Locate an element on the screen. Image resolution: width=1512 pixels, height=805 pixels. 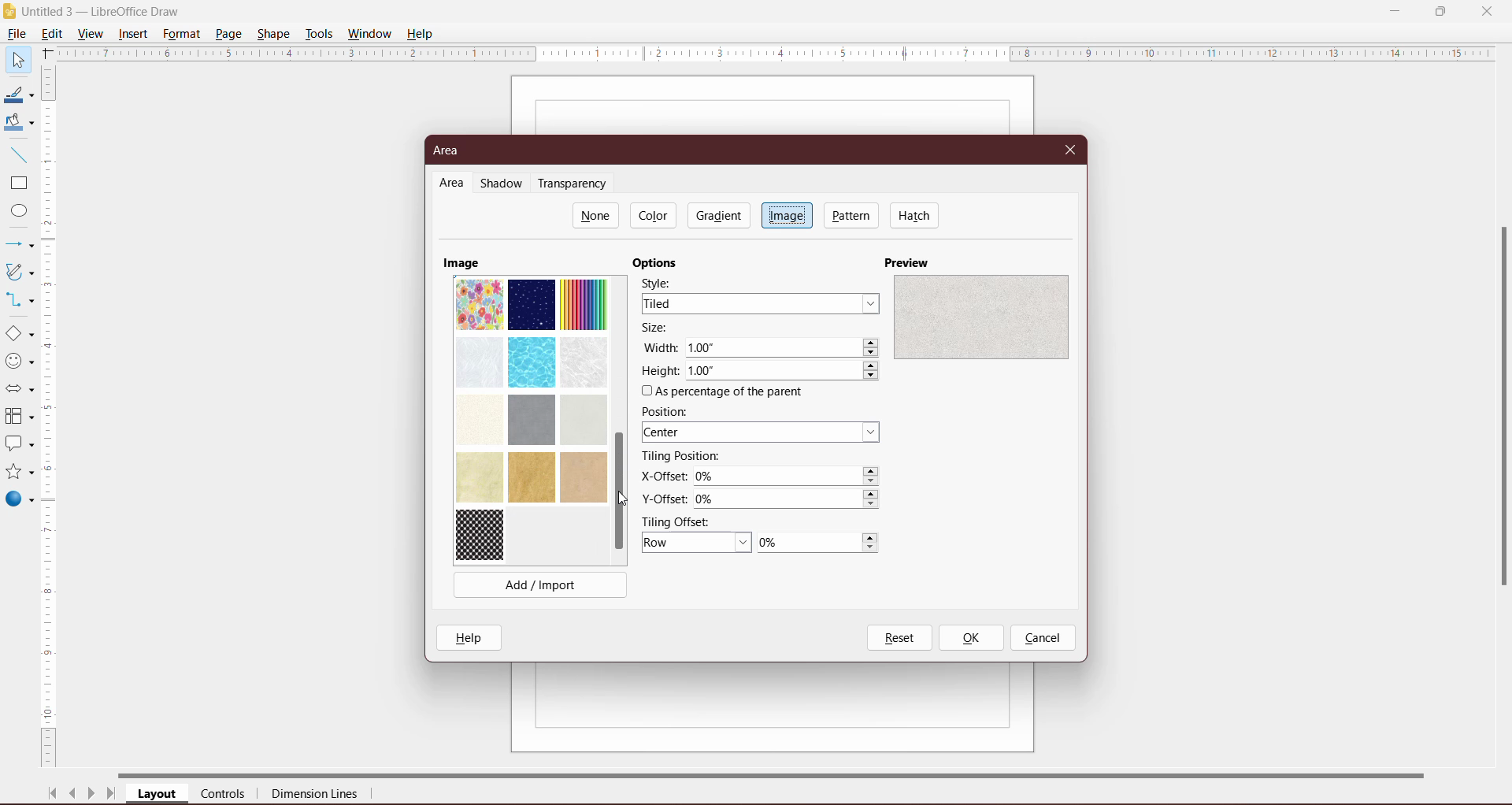
Application Logo is located at coordinates (10, 12).